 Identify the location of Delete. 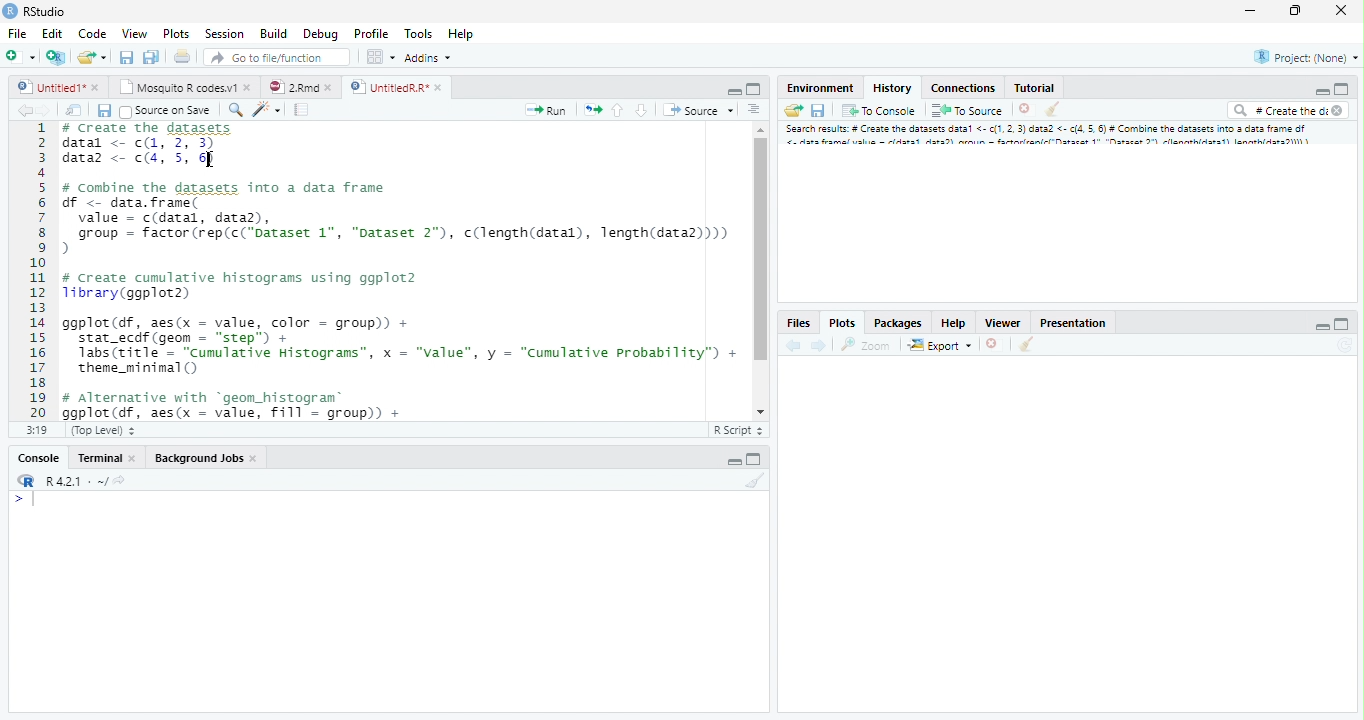
(1025, 109).